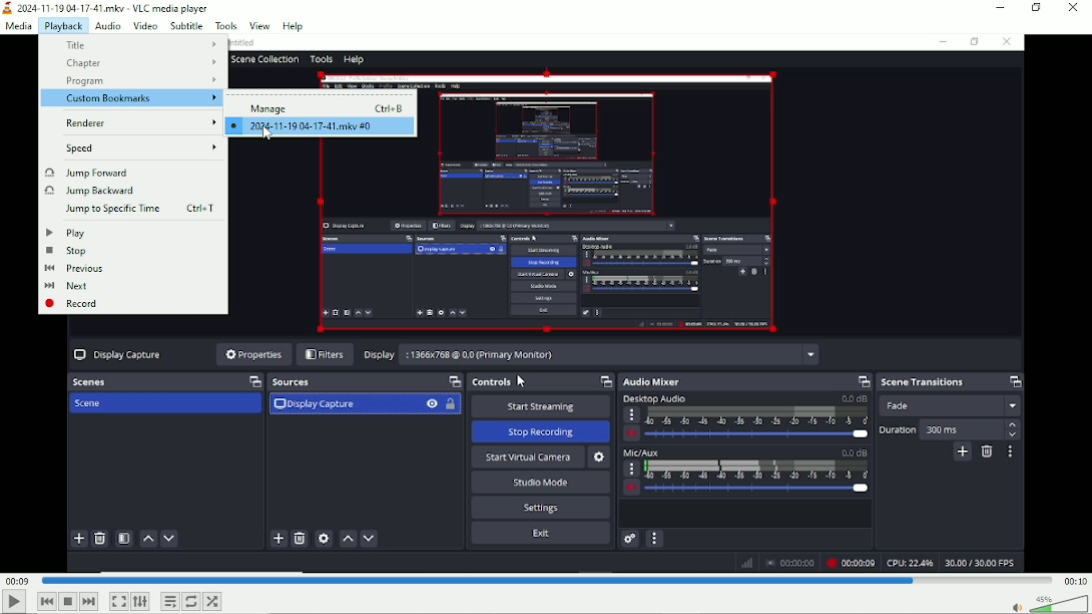 The image size is (1092, 614). I want to click on Video, so click(144, 25).